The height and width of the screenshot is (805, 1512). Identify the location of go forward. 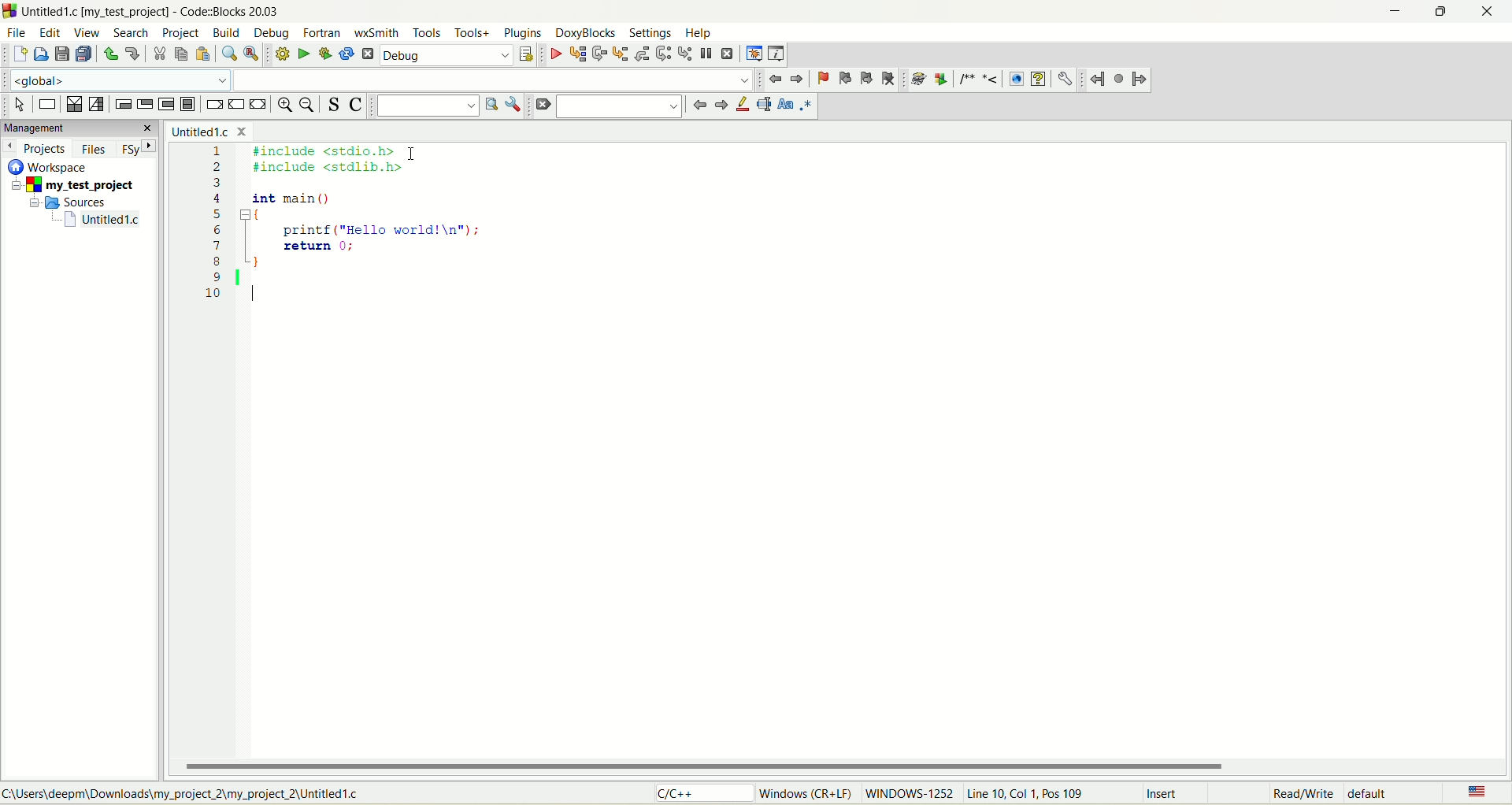
(698, 106).